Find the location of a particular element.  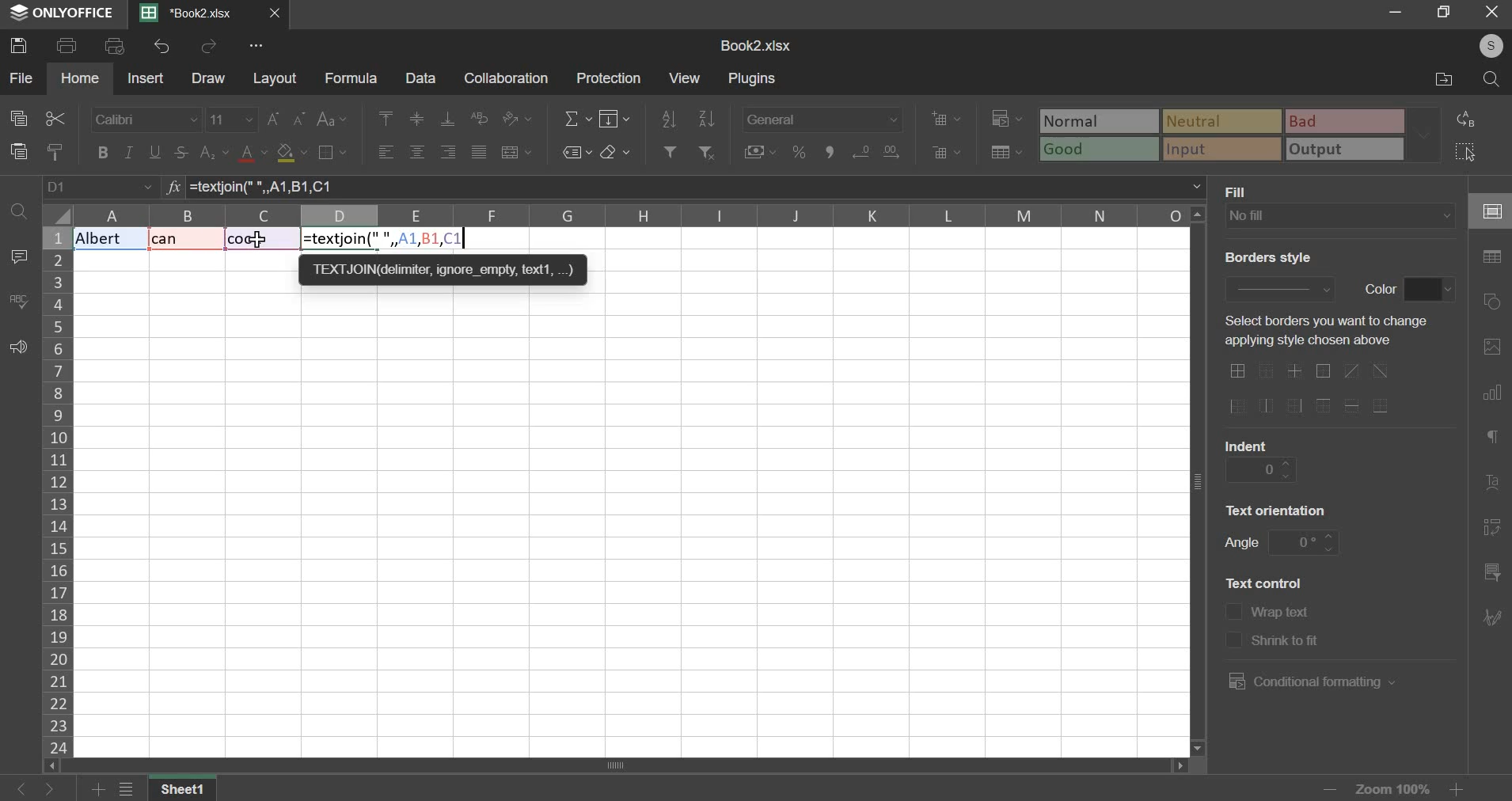

pivot table is located at coordinates (1492, 529).